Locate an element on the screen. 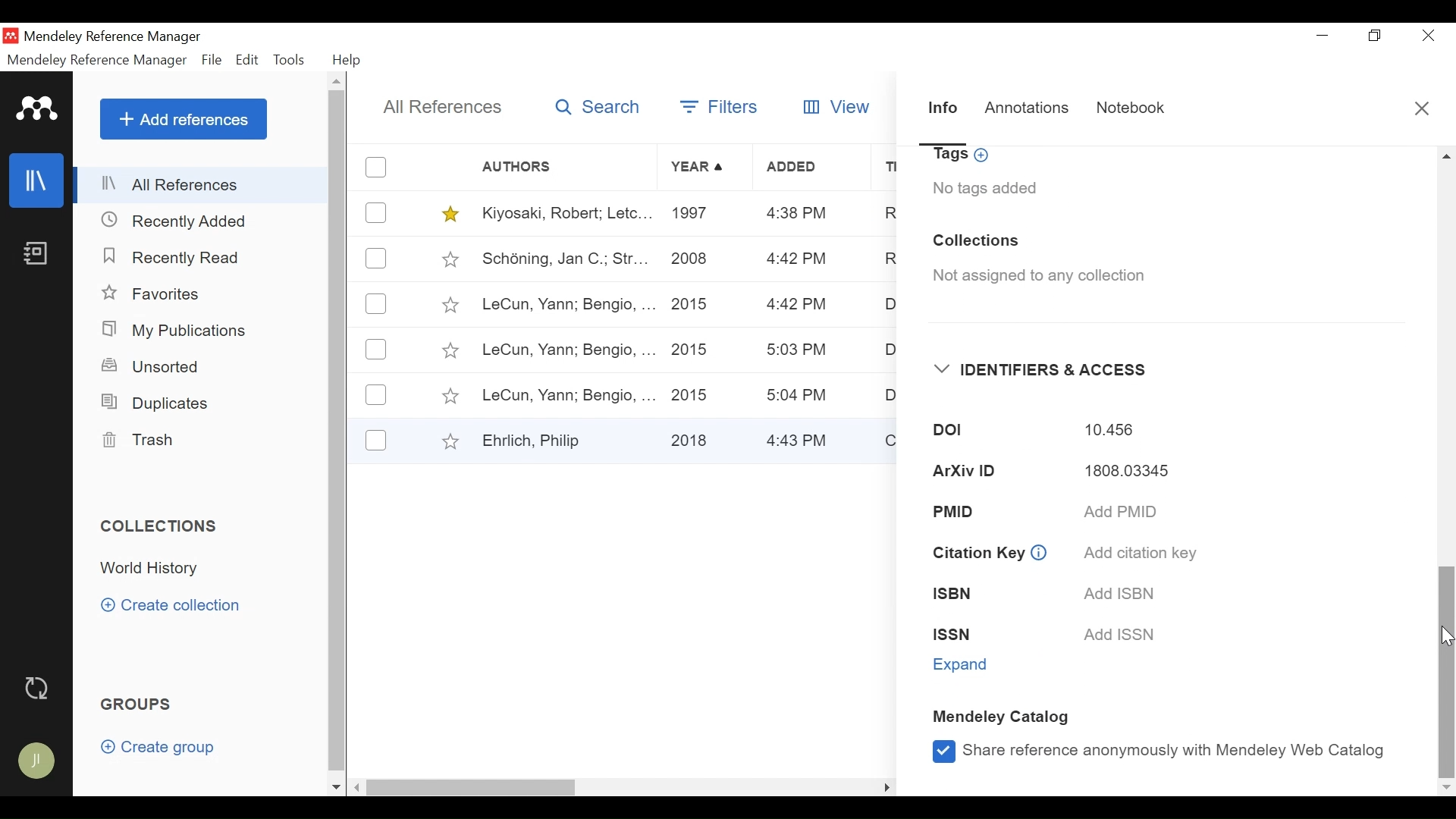 This screenshot has height=819, width=1456. 4:43 PM is located at coordinates (802, 439).